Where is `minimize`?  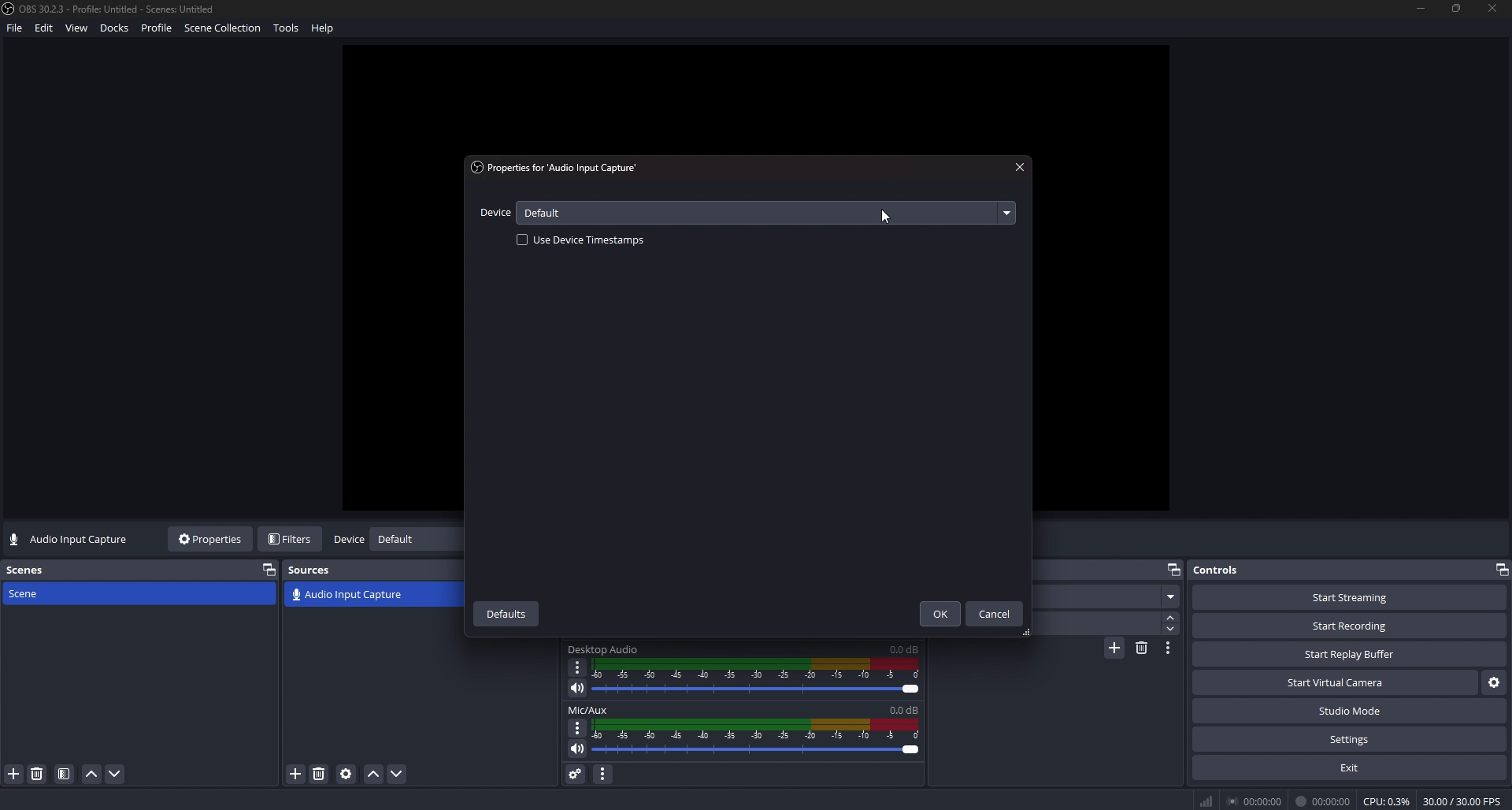
minimize is located at coordinates (1421, 9).